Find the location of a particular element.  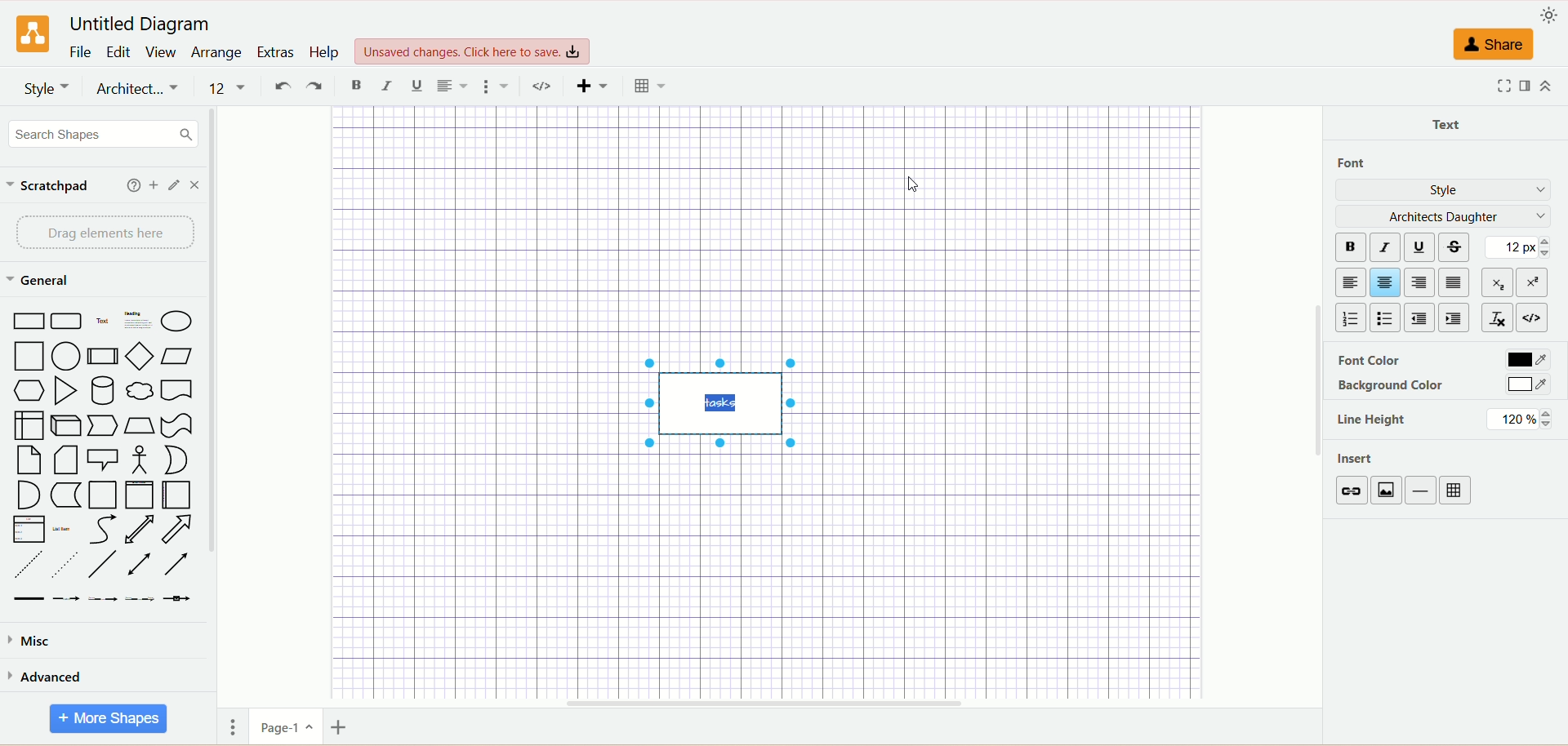

file is located at coordinates (82, 51).